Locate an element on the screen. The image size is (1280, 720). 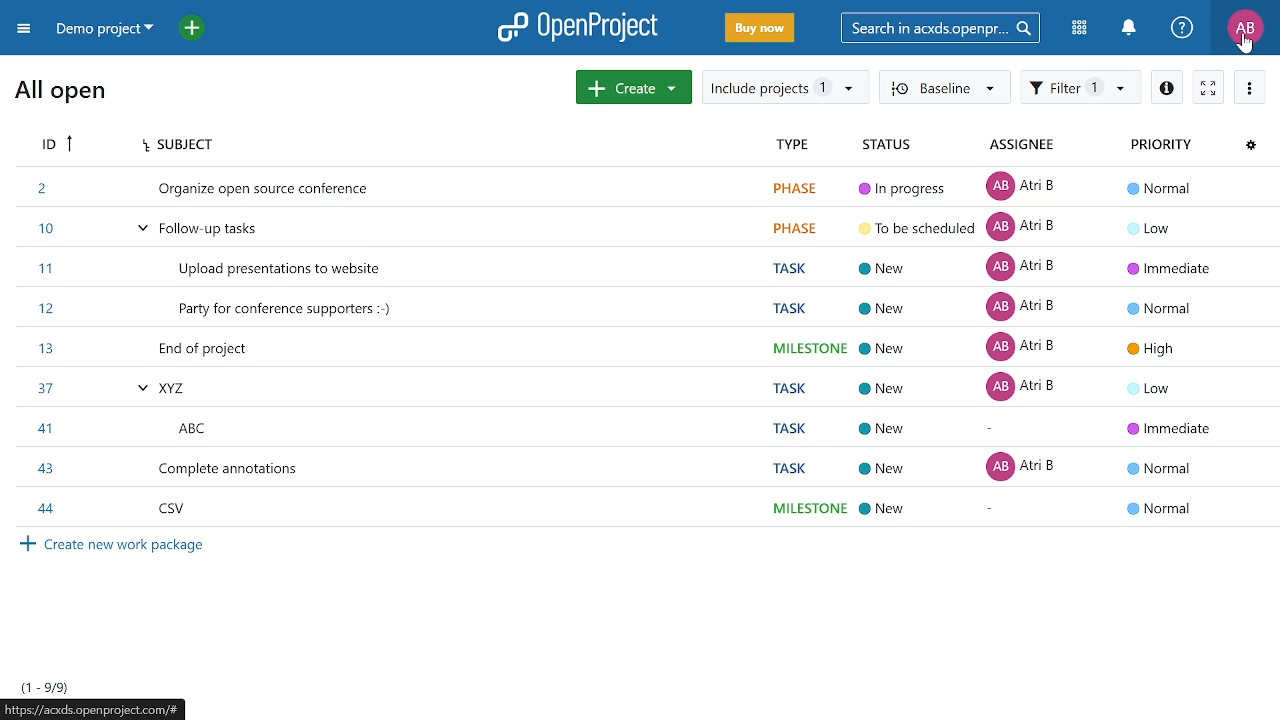
task status is located at coordinates (912, 347).